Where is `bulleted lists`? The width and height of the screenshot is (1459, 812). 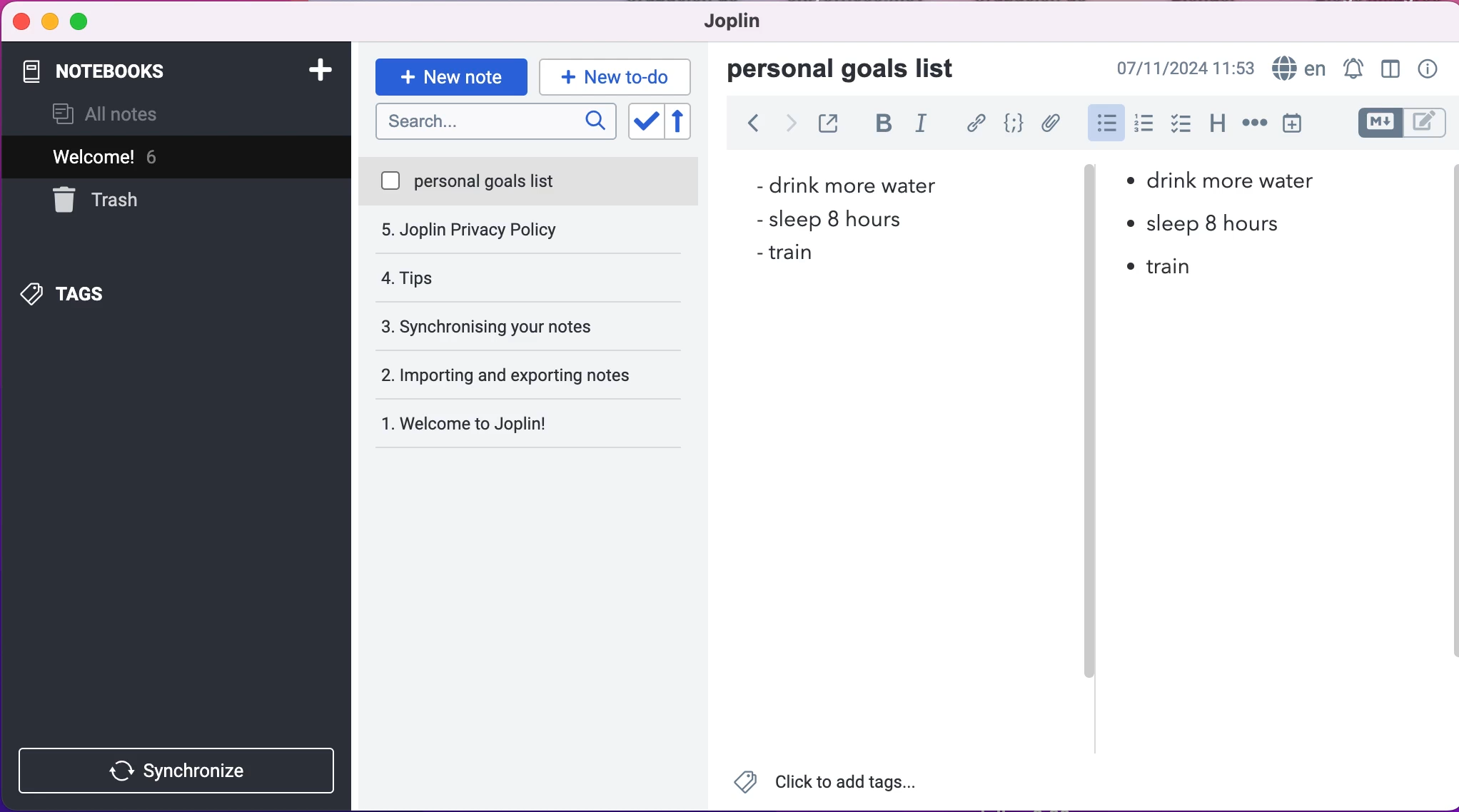 bulleted lists is located at coordinates (1105, 123).